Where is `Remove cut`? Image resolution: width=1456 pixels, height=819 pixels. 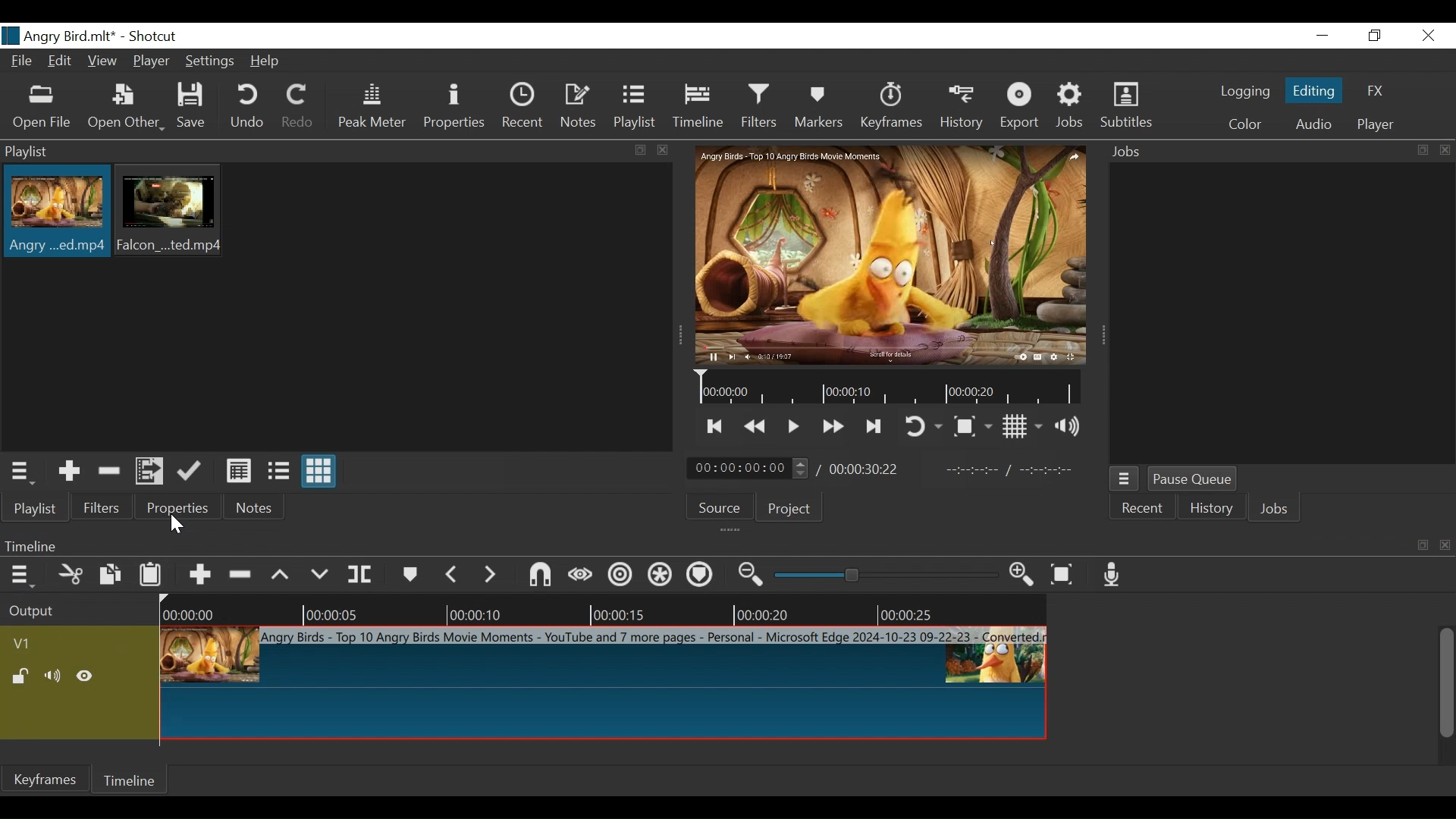
Remove cut is located at coordinates (110, 472).